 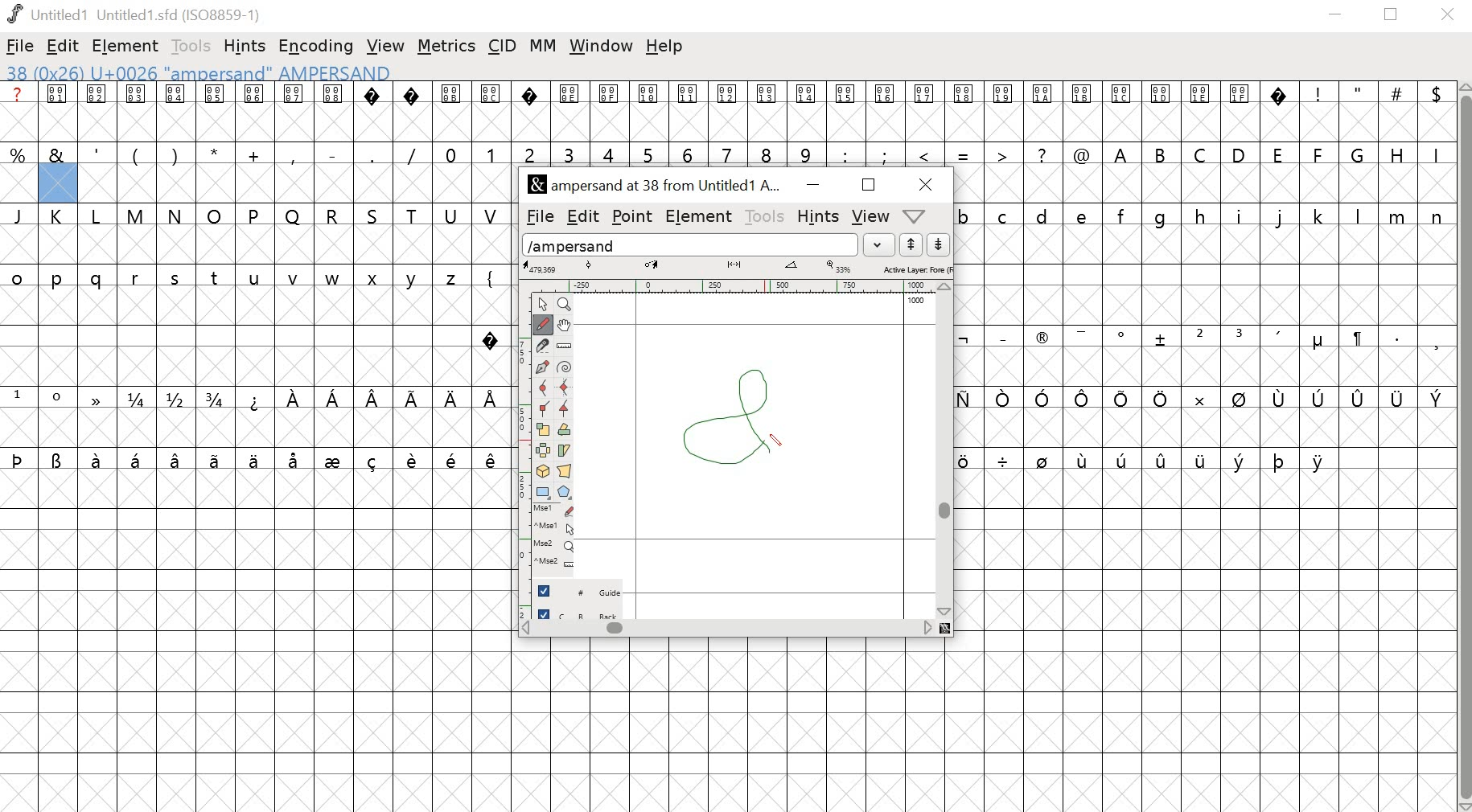 I want to click on R, so click(x=333, y=213).